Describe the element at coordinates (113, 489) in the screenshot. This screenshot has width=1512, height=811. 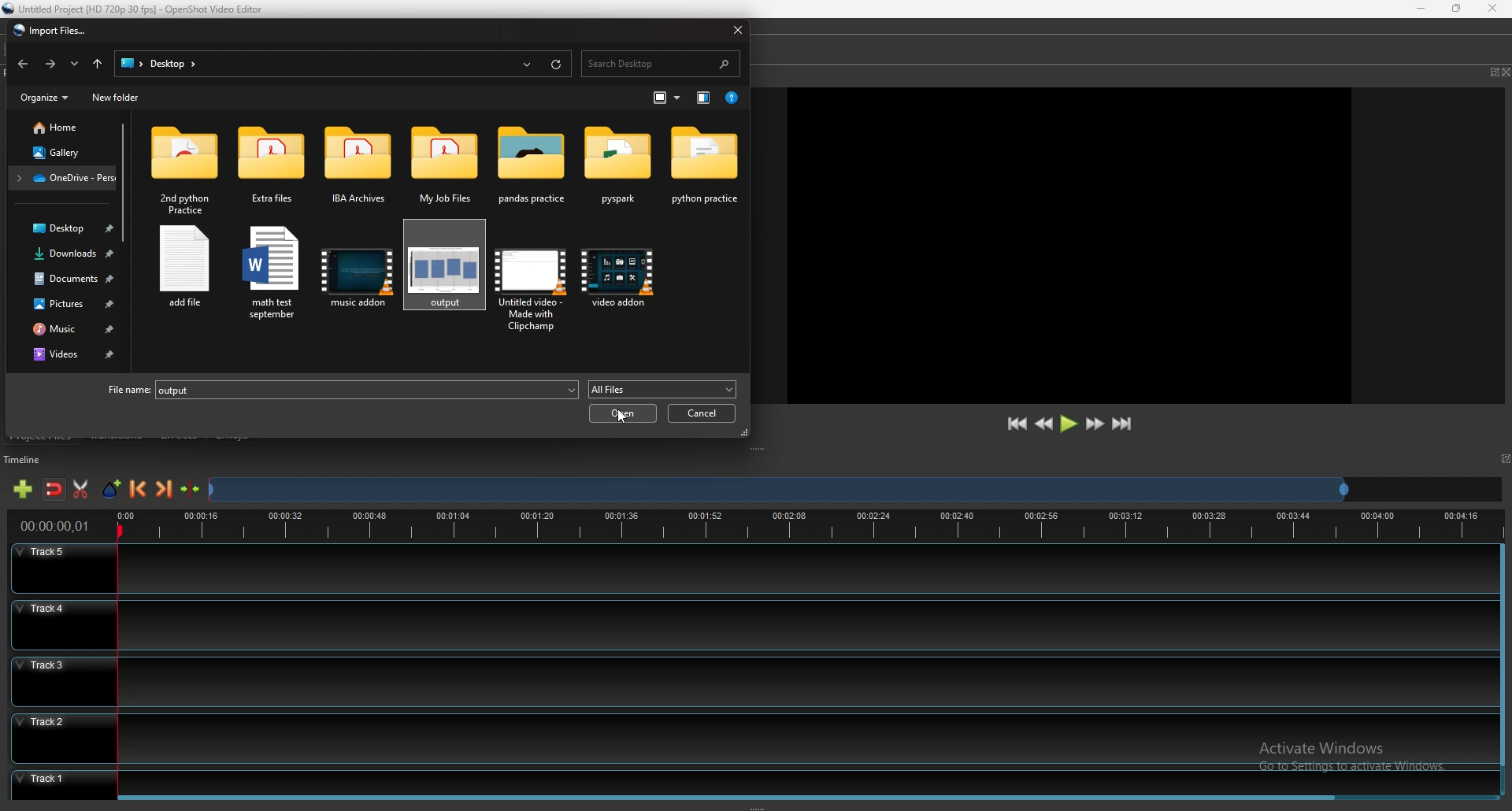
I see `add marker` at that location.